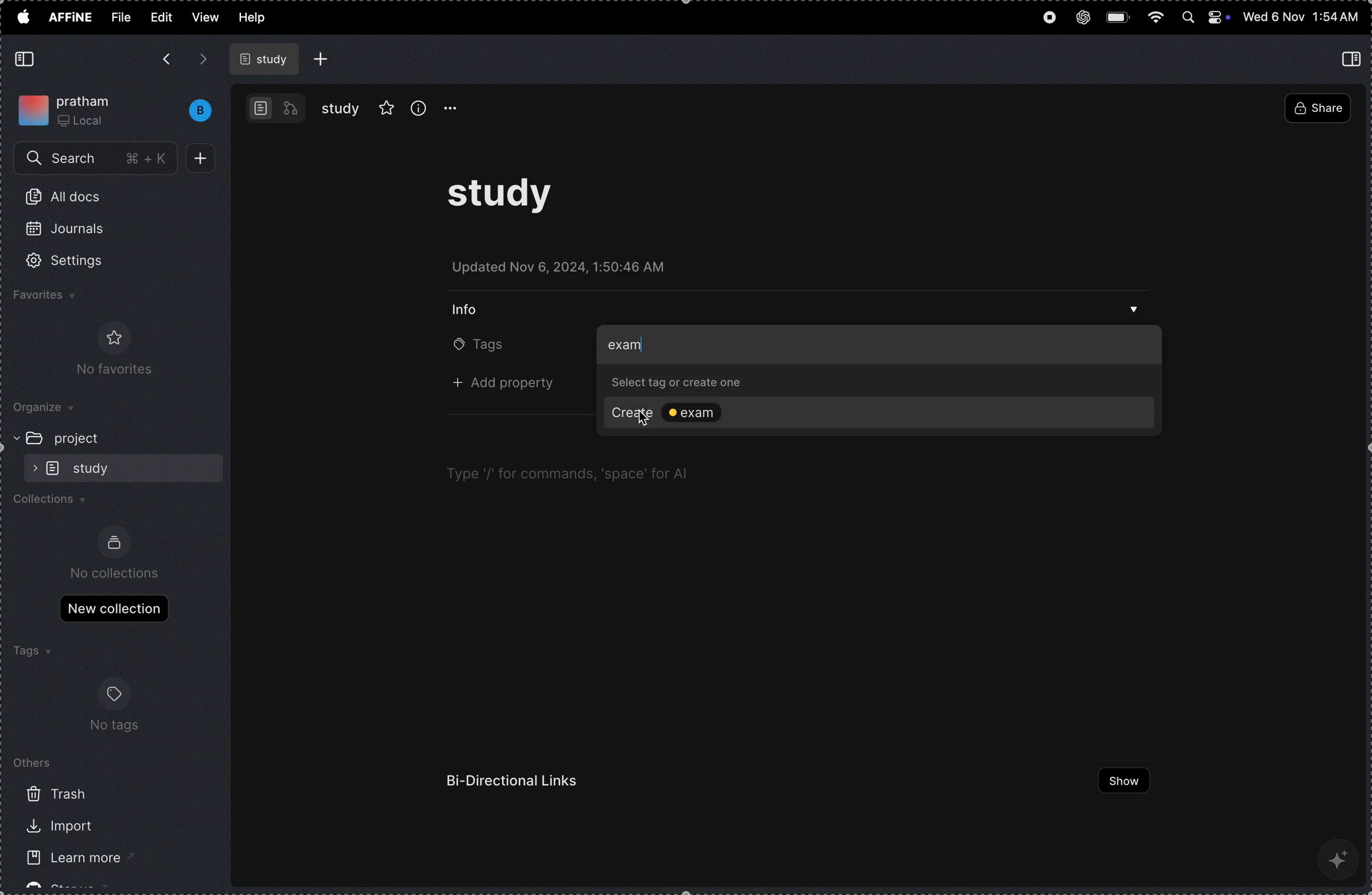 This screenshot has width=1372, height=895. I want to click on sub folder study, so click(95, 467).